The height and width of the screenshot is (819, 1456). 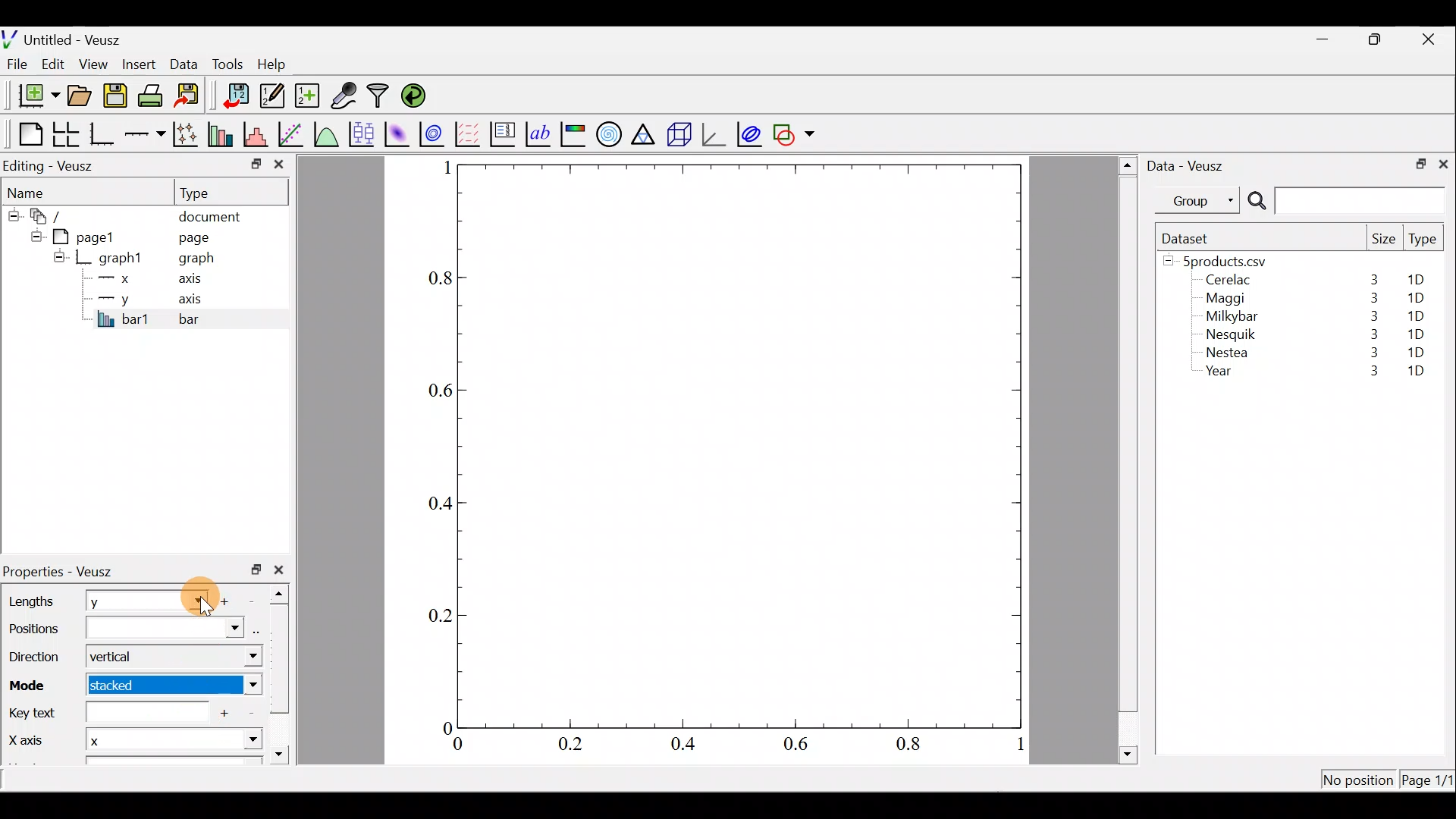 What do you see at coordinates (222, 133) in the screenshot?
I see `Plot bar charts` at bounding box center [222, 133].